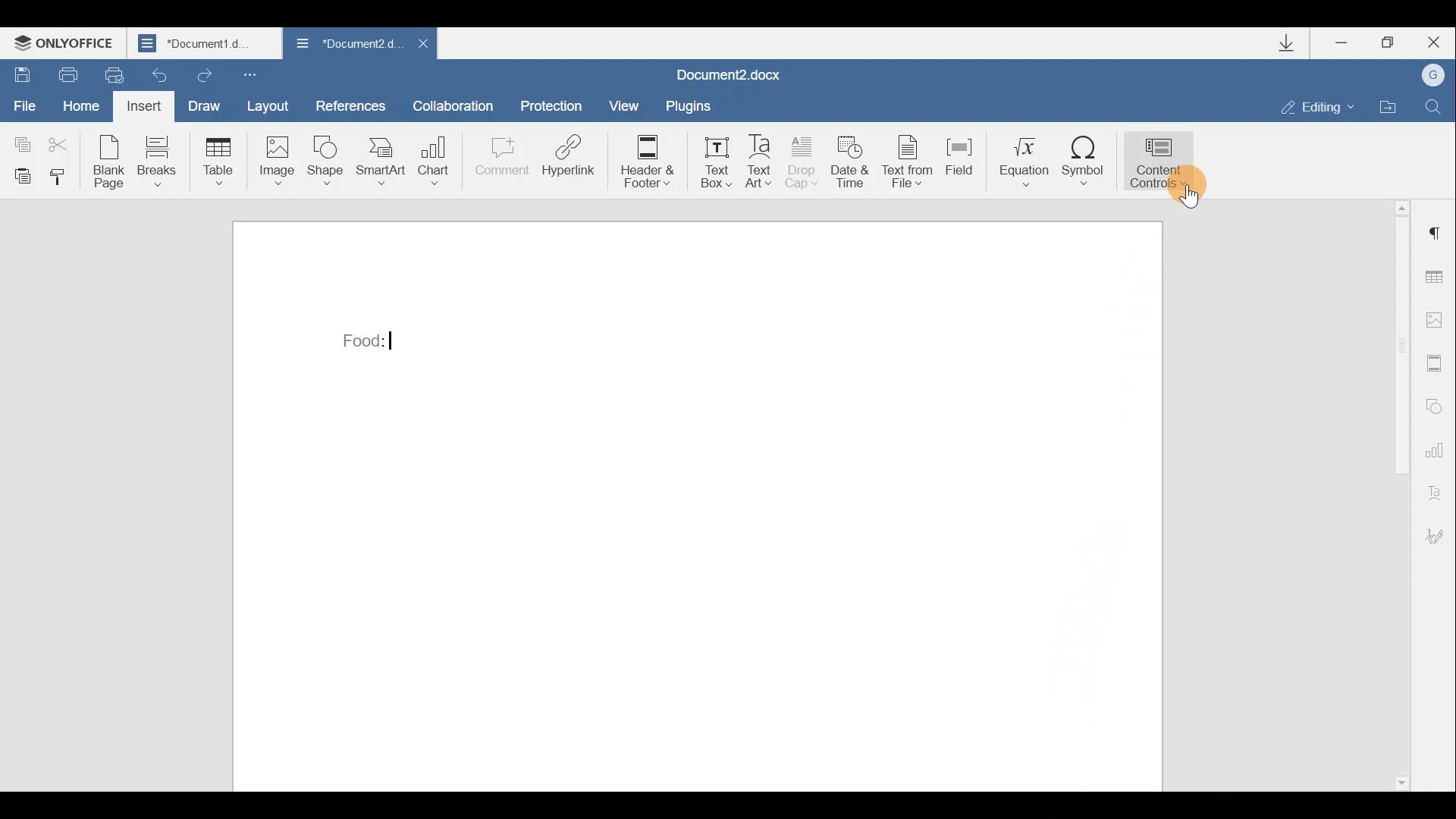 This screenshot has width=1456, height=819. Describe the element at coordinates (1428, 76) in the screenshot. I see `Account name` at that location.